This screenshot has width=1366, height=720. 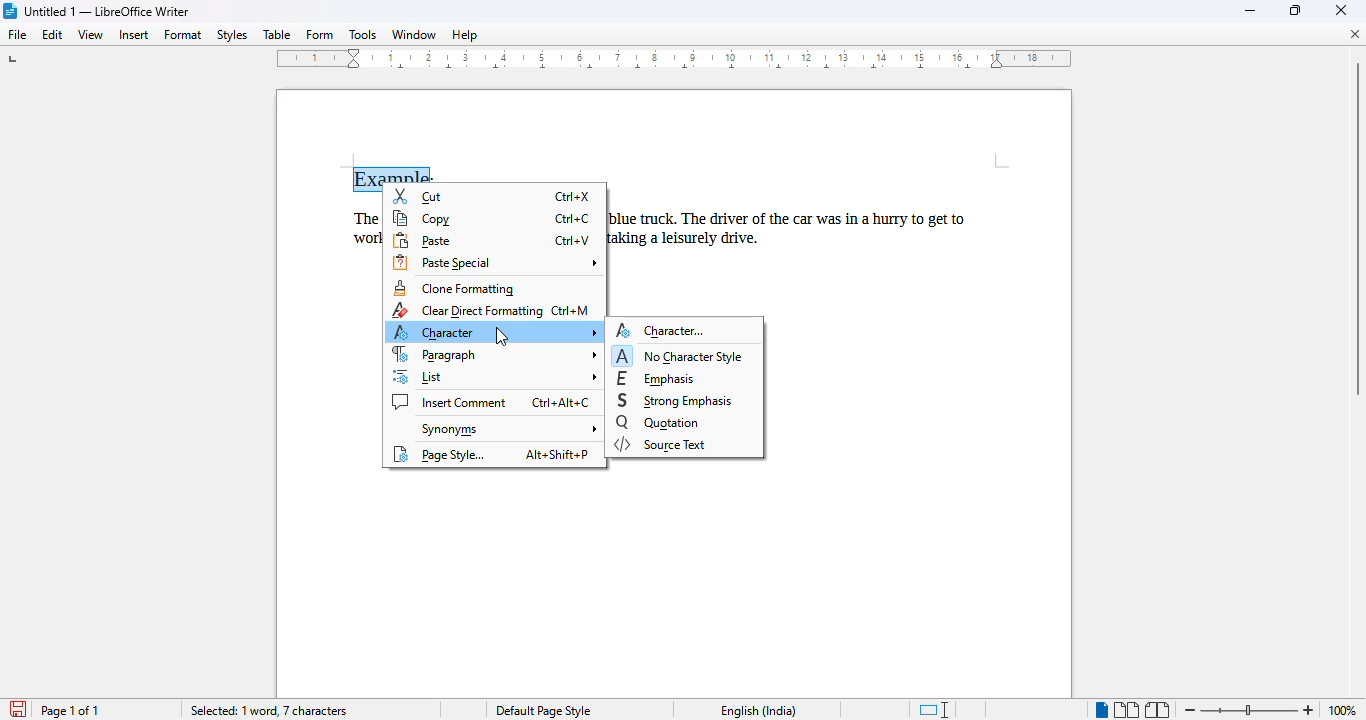 I want to click on Single Page view, so click(x=1091, y=709).